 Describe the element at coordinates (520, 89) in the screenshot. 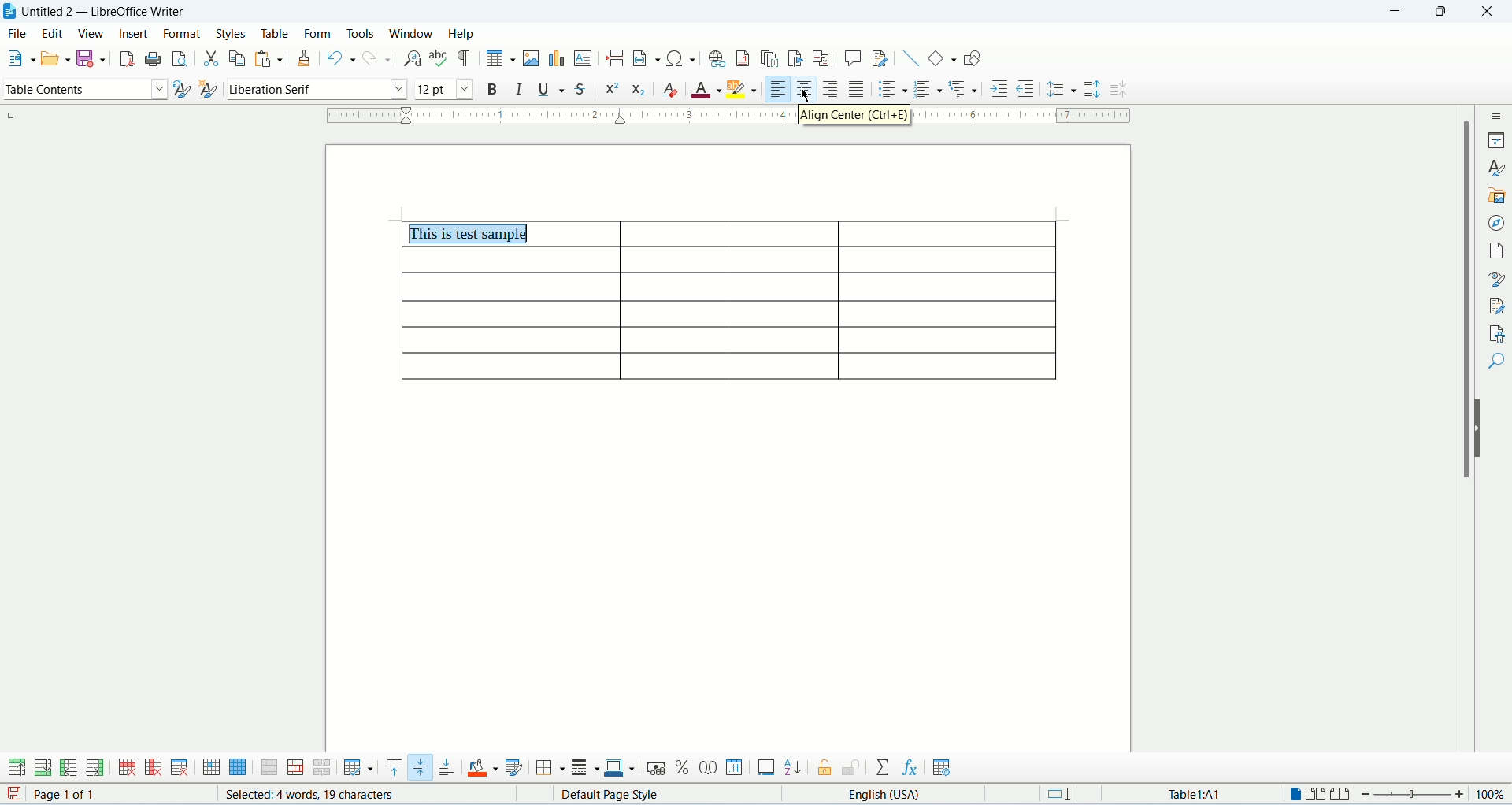

I see `italic` at that location.